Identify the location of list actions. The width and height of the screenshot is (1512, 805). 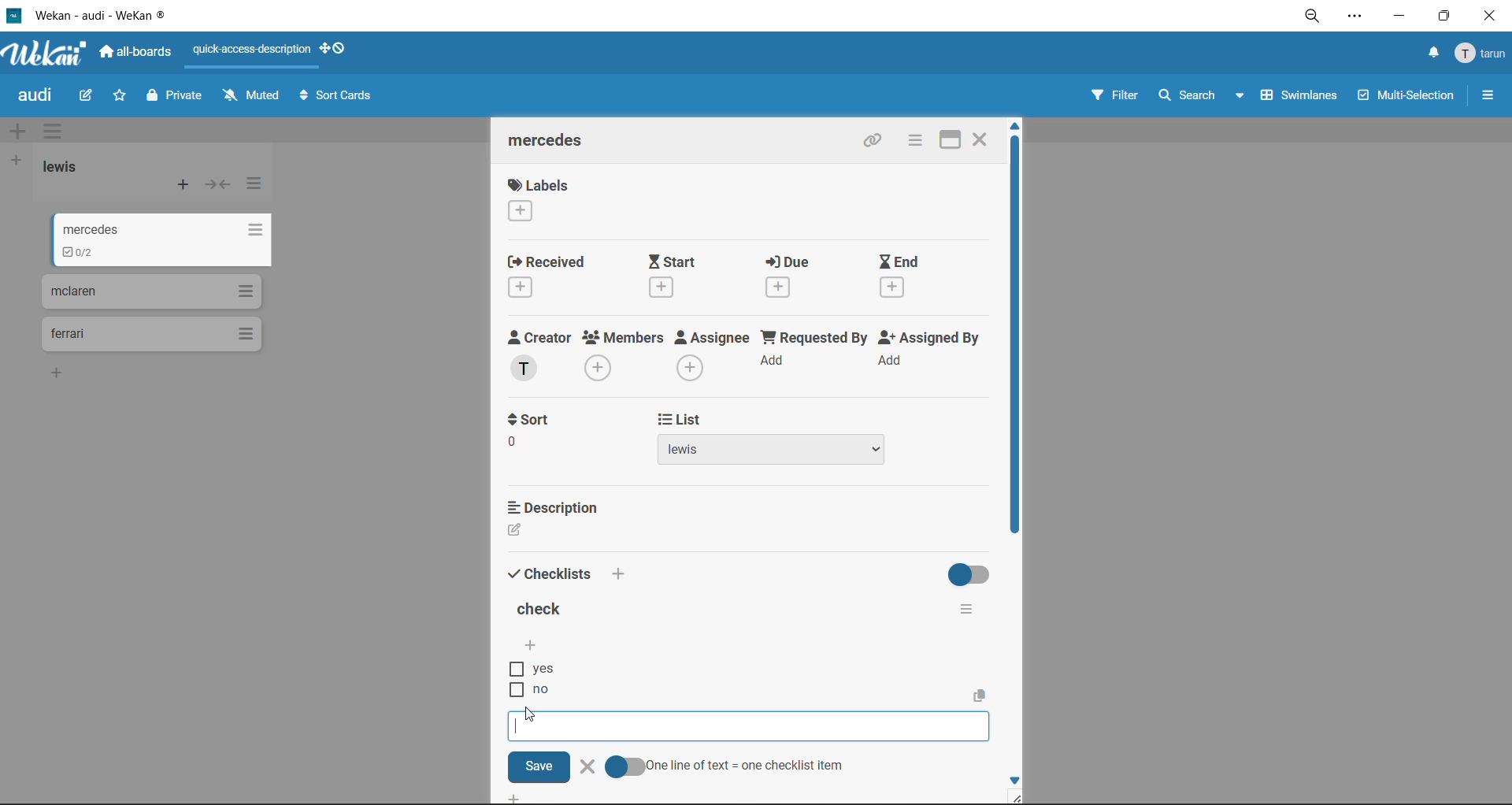
(256, 188).